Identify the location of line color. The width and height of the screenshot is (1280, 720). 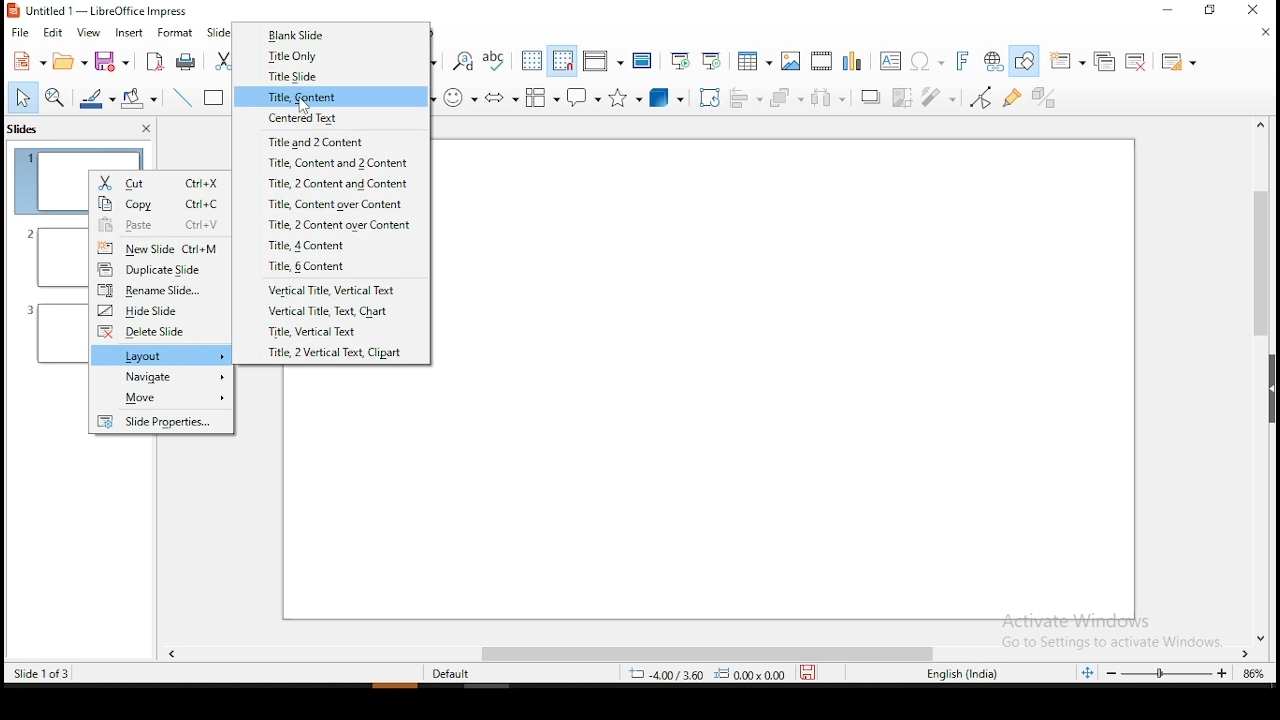
(96, 99).